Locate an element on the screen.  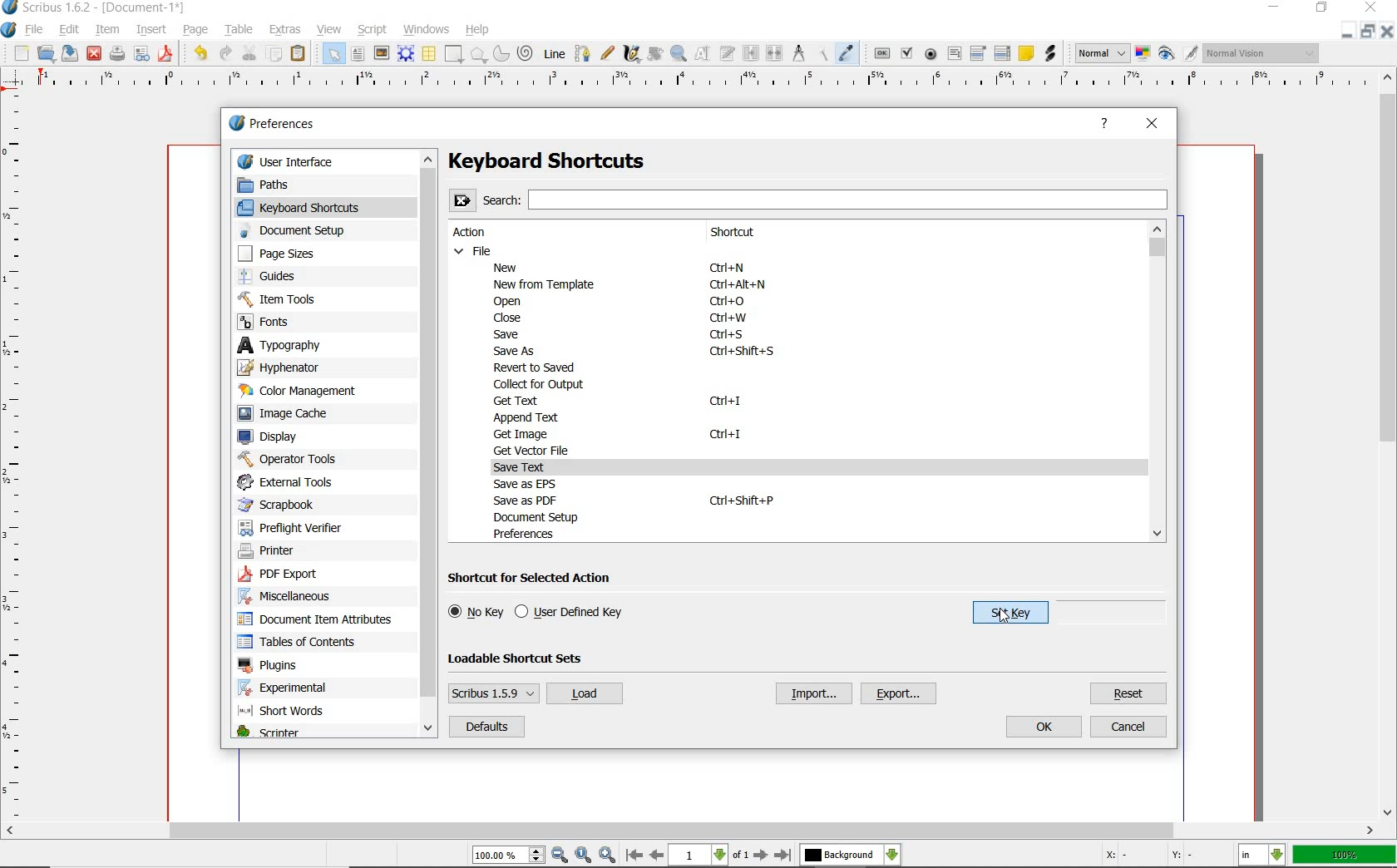
save is located at coordinates (511, 333).